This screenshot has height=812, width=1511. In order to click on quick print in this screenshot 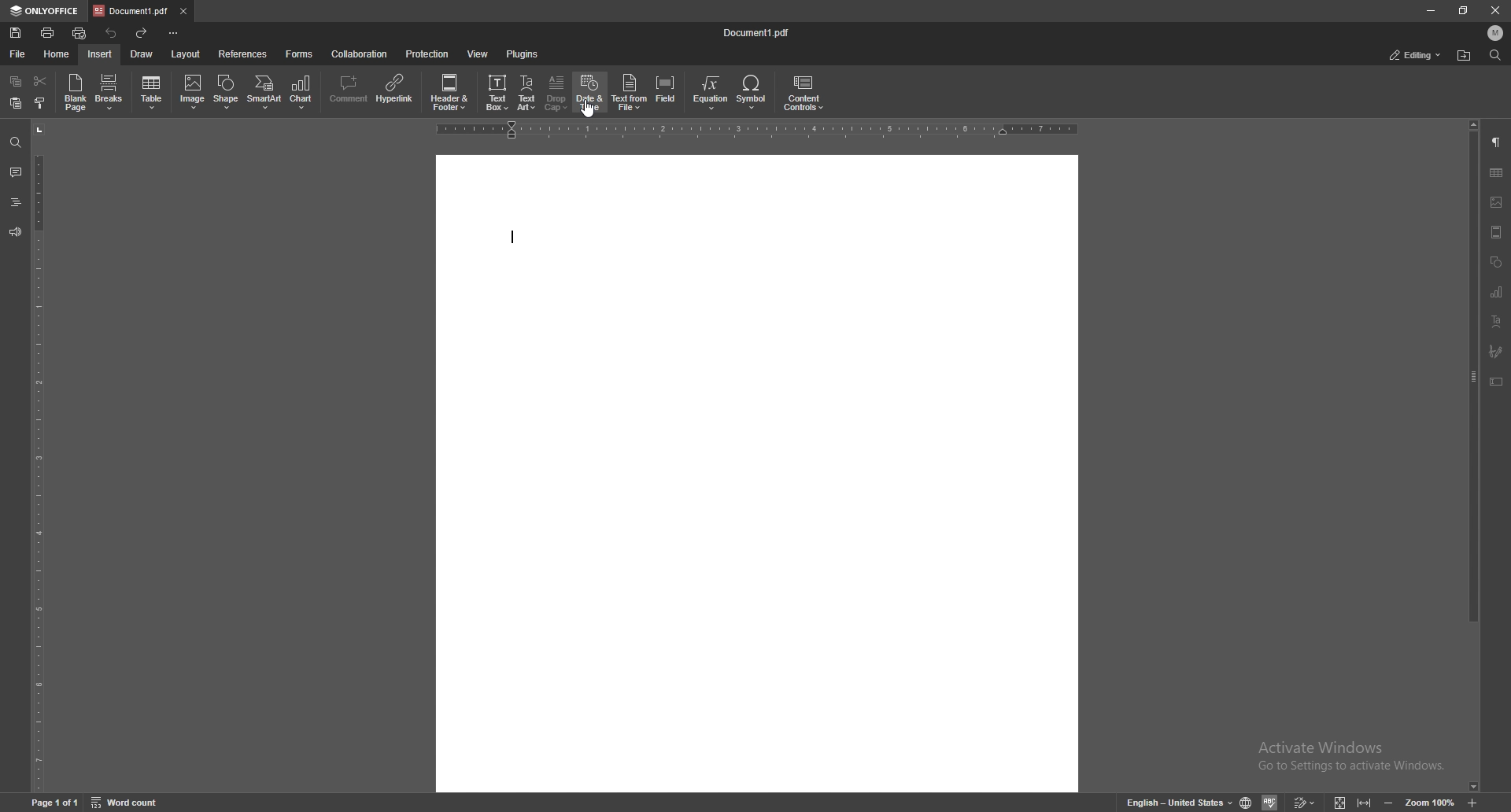, I will do `click(79, 35)`.